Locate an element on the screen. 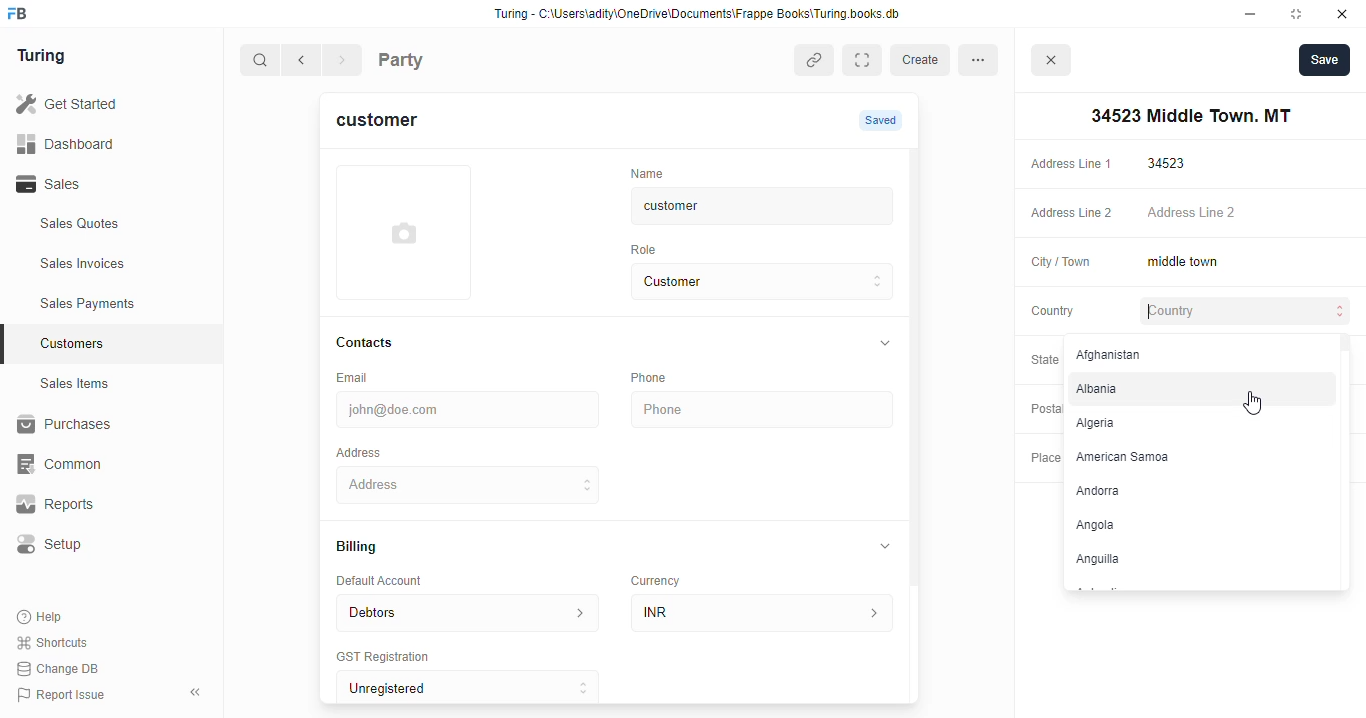 The image size is (1366, 718). customer is located at coordinates (746, 206).